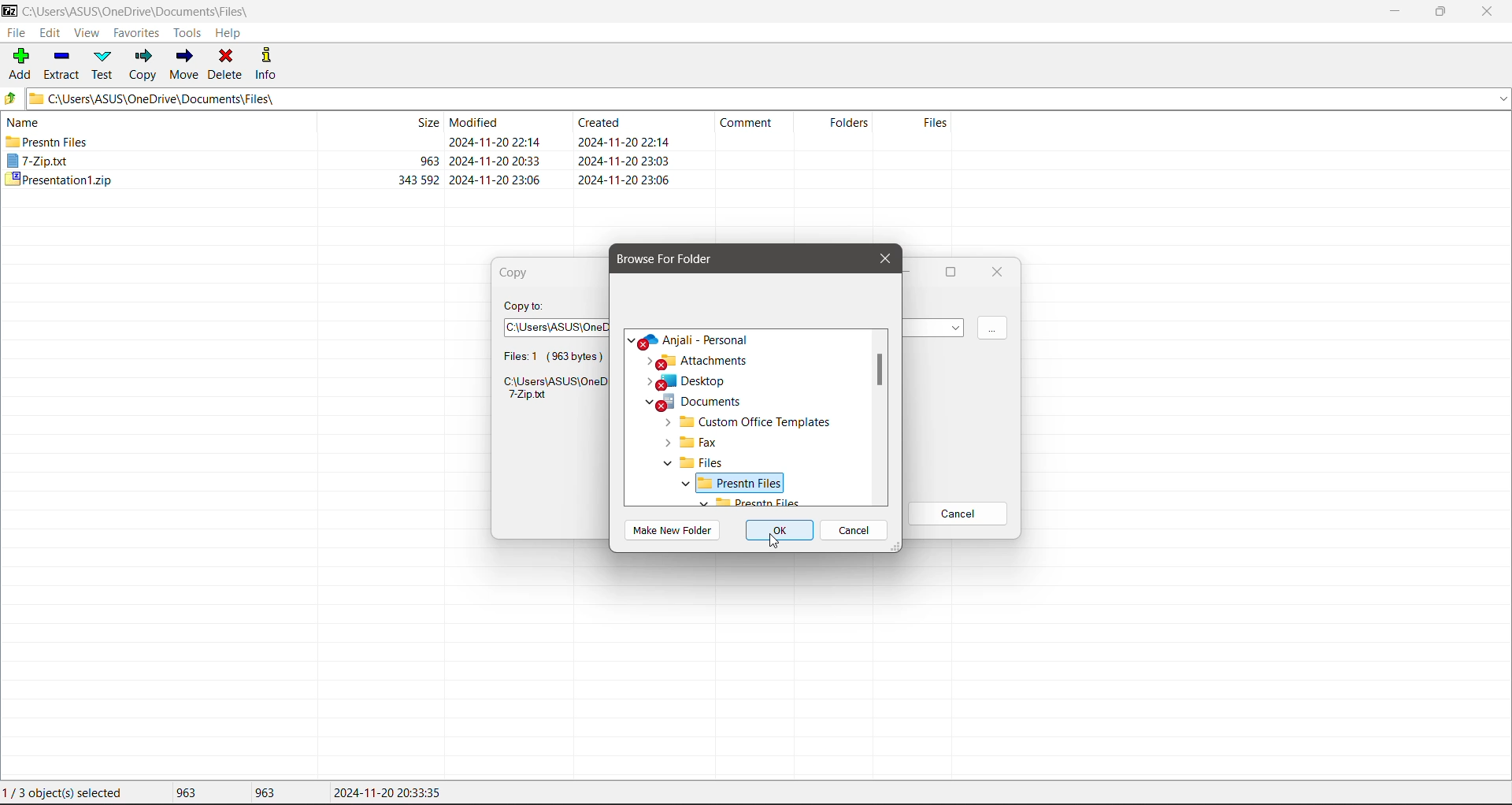  What do you see at coordinates (498, 151) in the screenshot?
I see `File Modified Date` at bounding box center [498, 151].